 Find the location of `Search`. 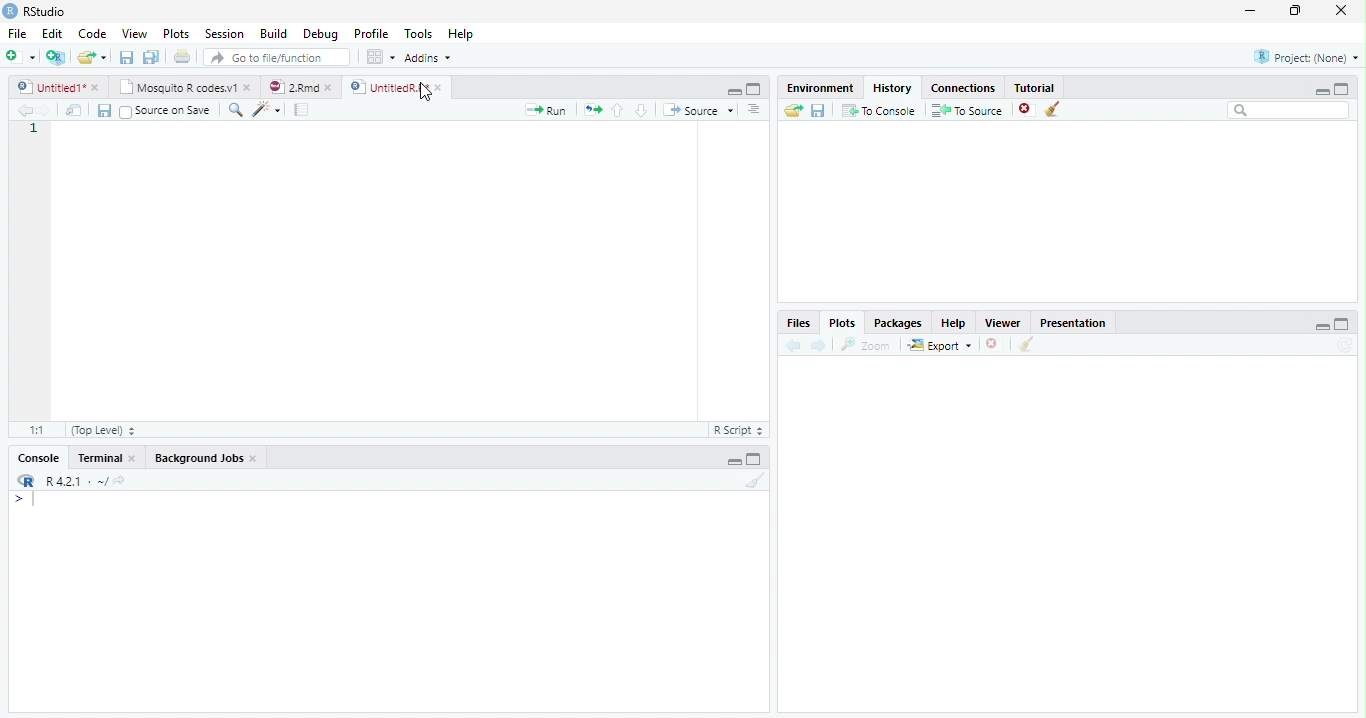

Search is located at coordinates (1289, 111).